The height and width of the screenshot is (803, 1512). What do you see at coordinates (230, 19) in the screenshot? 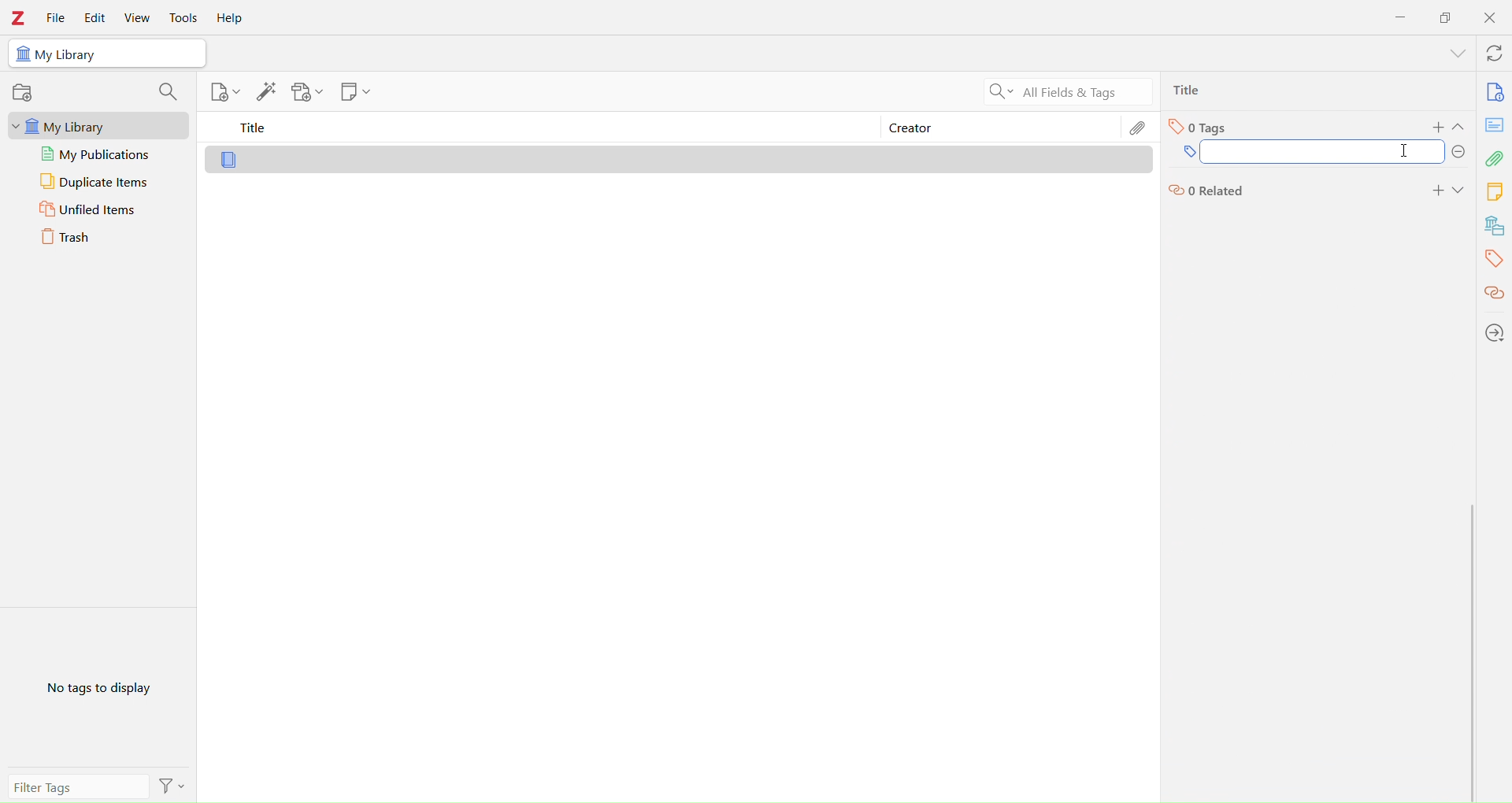
I see `Help` at bounding box center [230, 19].